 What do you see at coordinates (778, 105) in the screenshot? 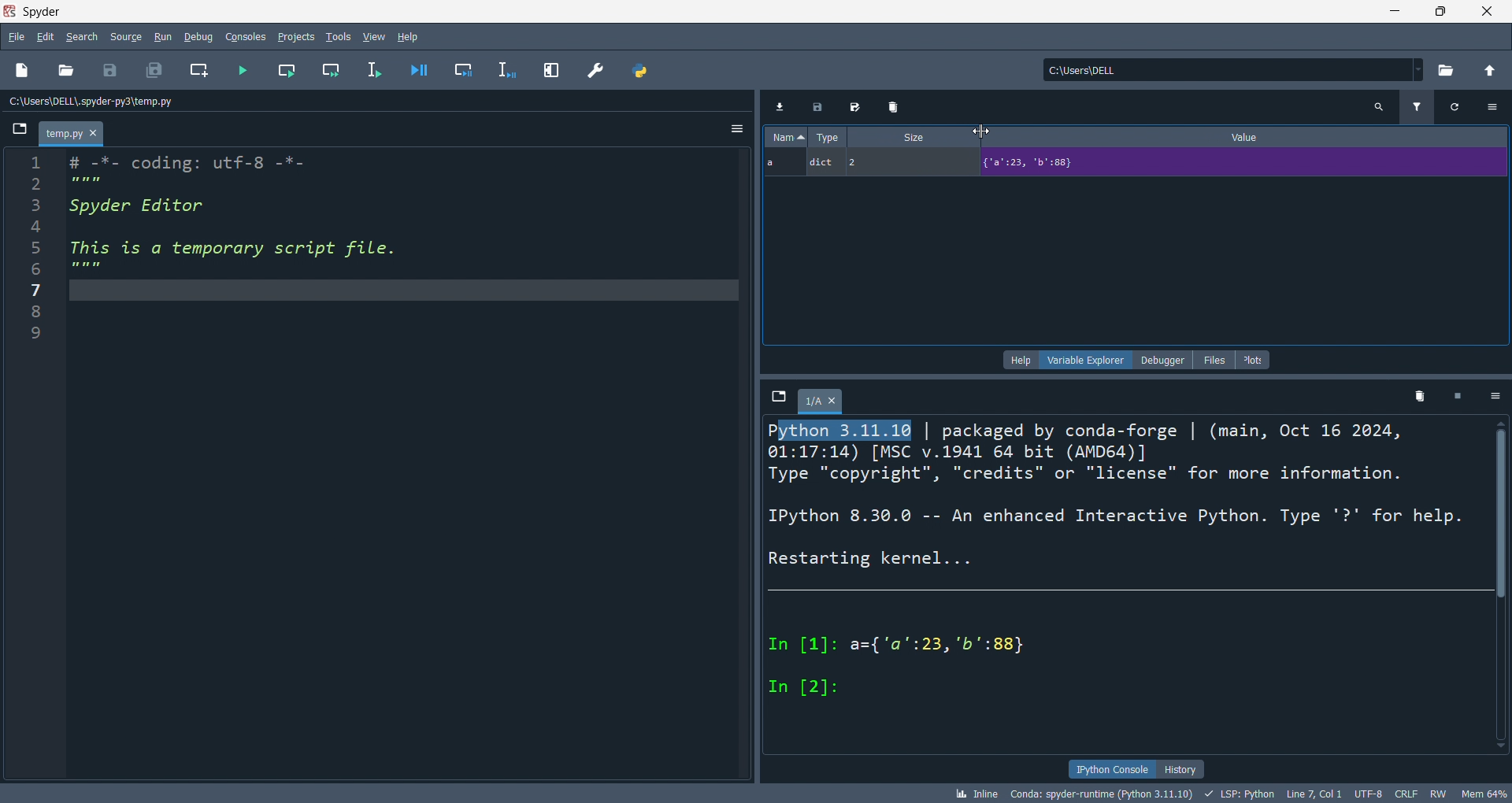
I see `import data` at bounding box center [778, 105].